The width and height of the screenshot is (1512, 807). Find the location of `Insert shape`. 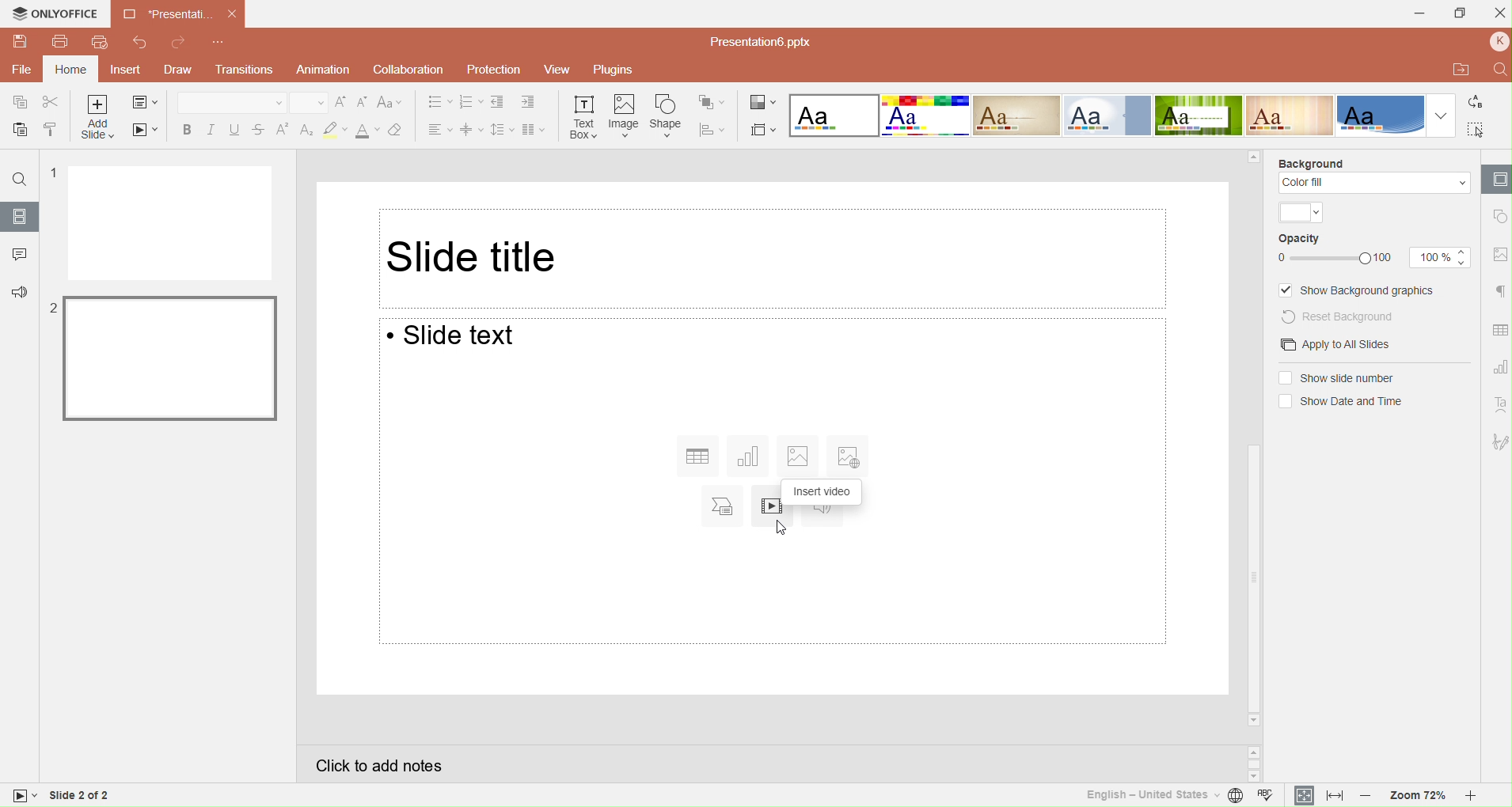

Insert shape is located at coordinates (665, 116).